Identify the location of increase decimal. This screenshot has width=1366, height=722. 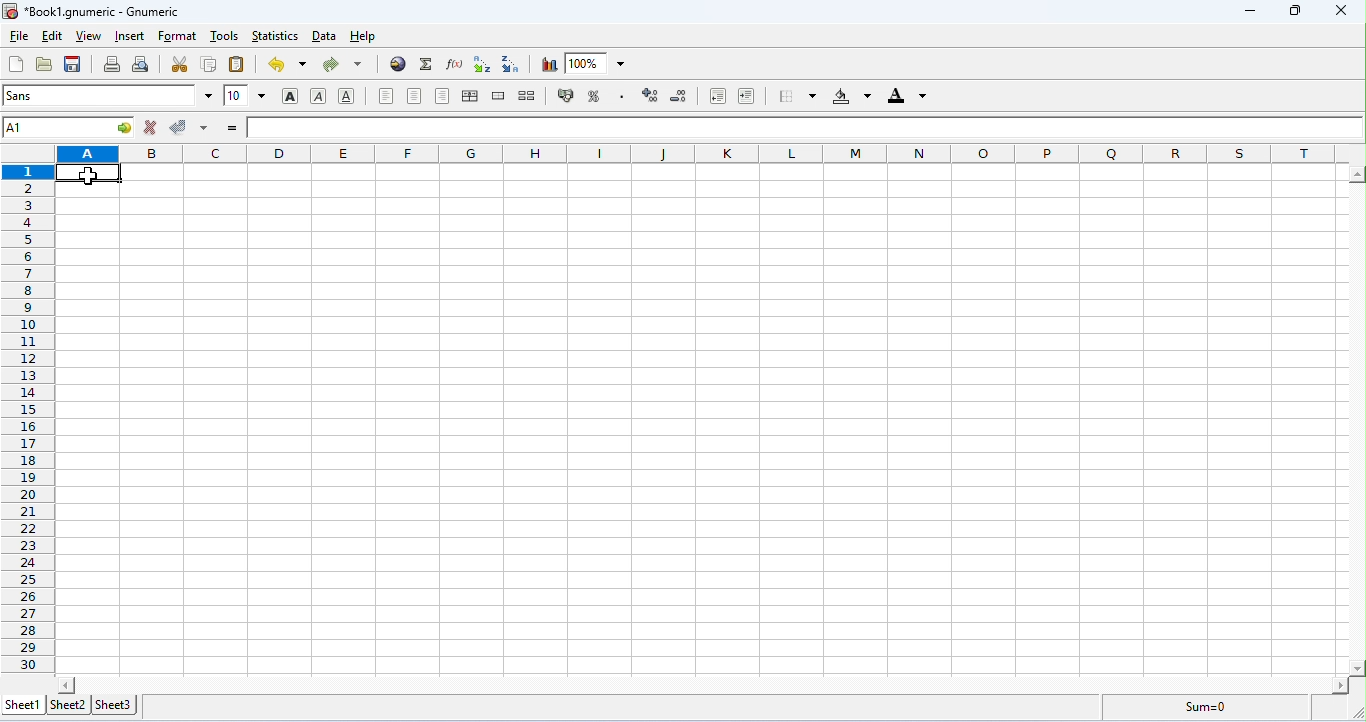
(717, 96).